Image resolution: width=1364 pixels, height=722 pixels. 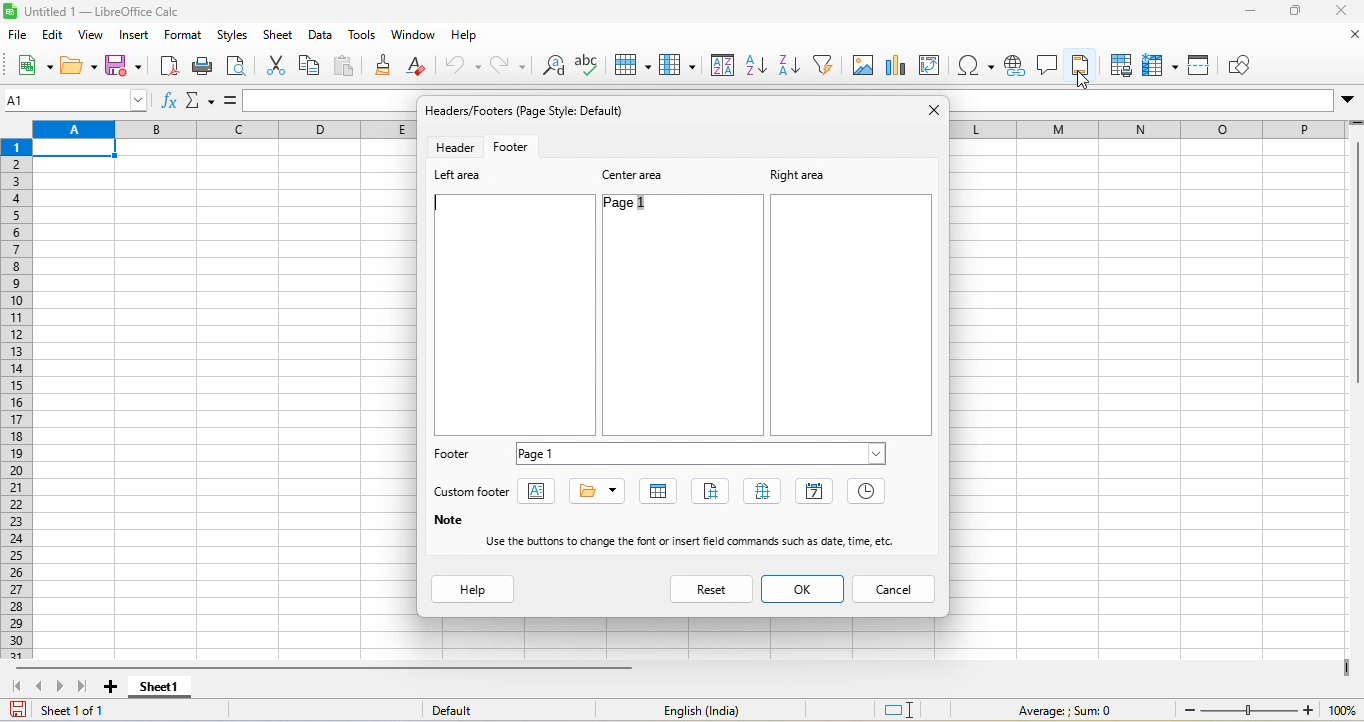 What do you see at coordinates (135, 38) in the screenshot?
I see `insert` at bounding box center [135, 38].